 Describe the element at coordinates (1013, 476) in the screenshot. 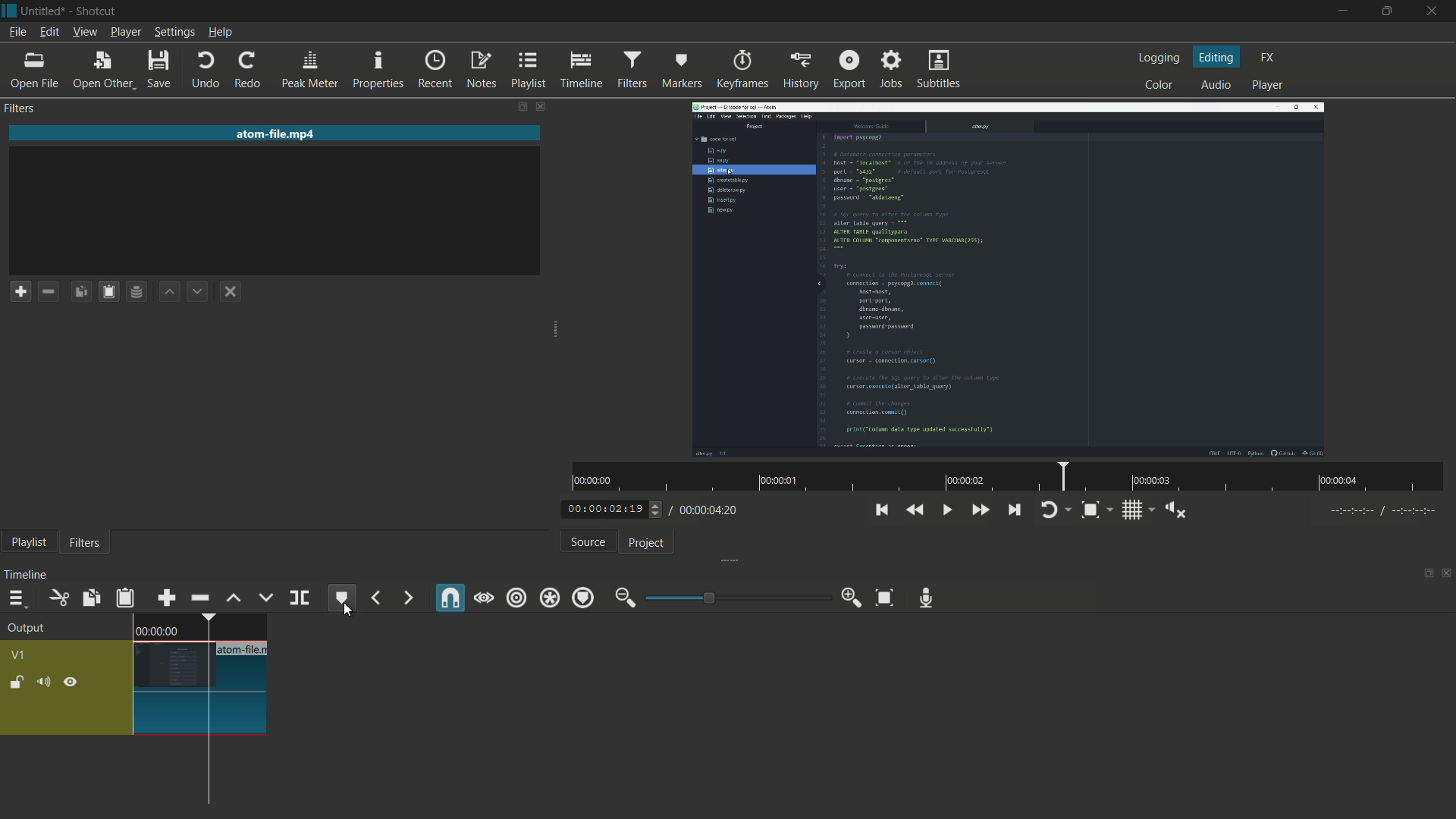

I see `time` at that location.